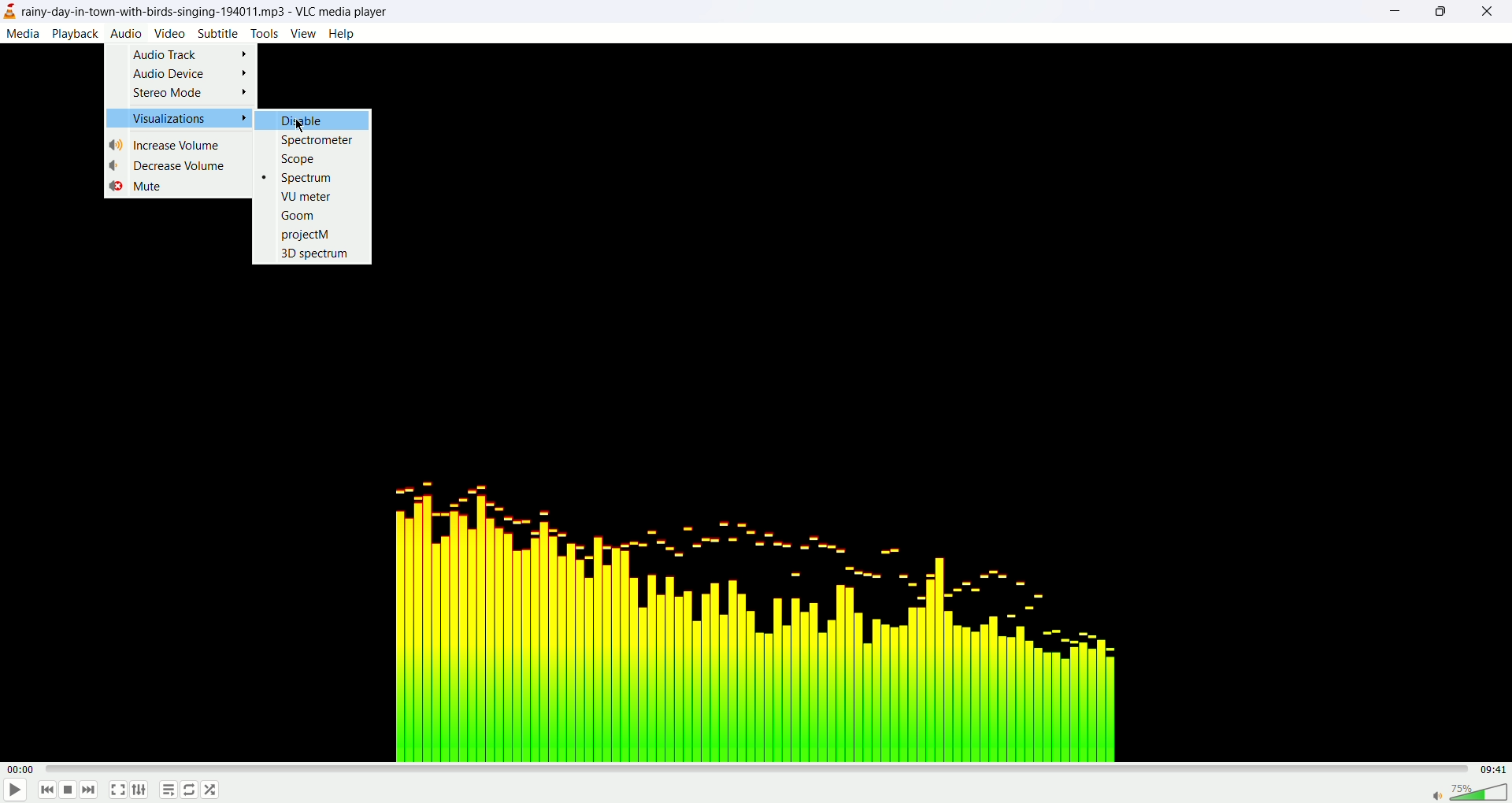 This screenshot has width=1512, height=803. Describe the element at coordinates (89, 790) in the screenshot. I see `next` at that location.